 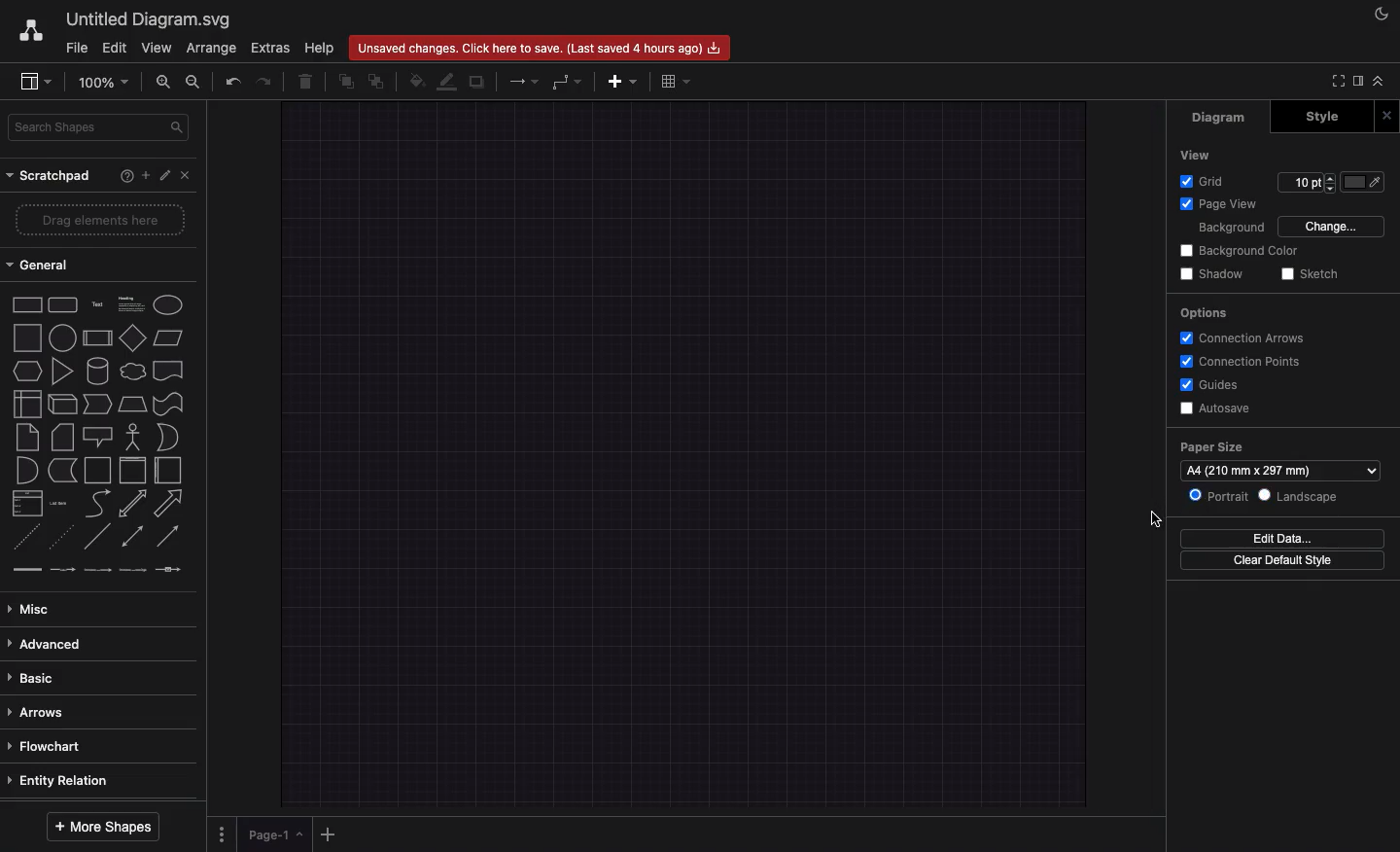 I want to click on Extras, so click(x=269, y=50).